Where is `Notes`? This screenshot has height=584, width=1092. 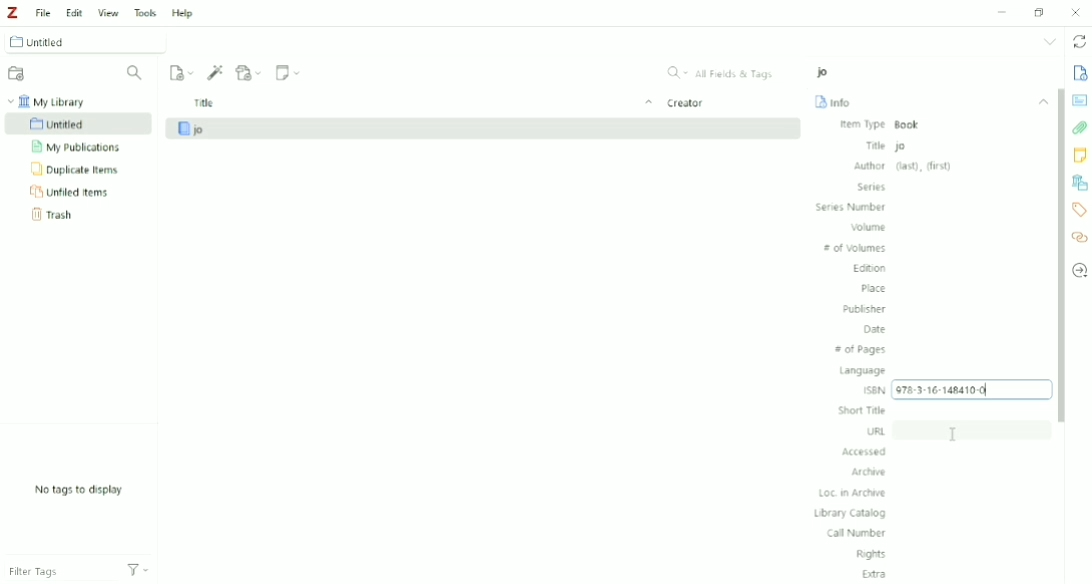
Notes is located at coordinates (1080, 156).